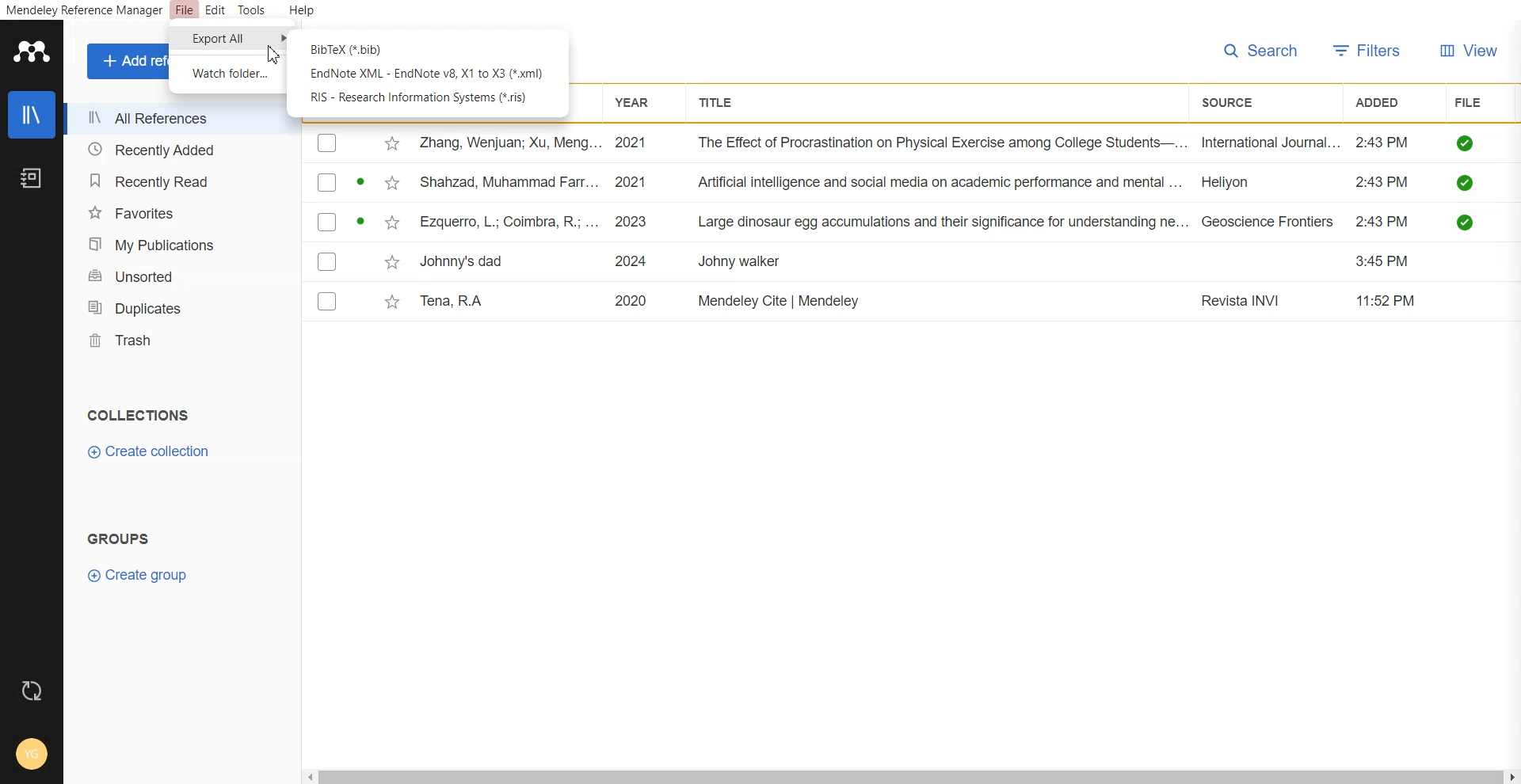 The height and width of the screenshot is (784, 1521). I want to click on Horizontal scroll bar, so click(912, 776).